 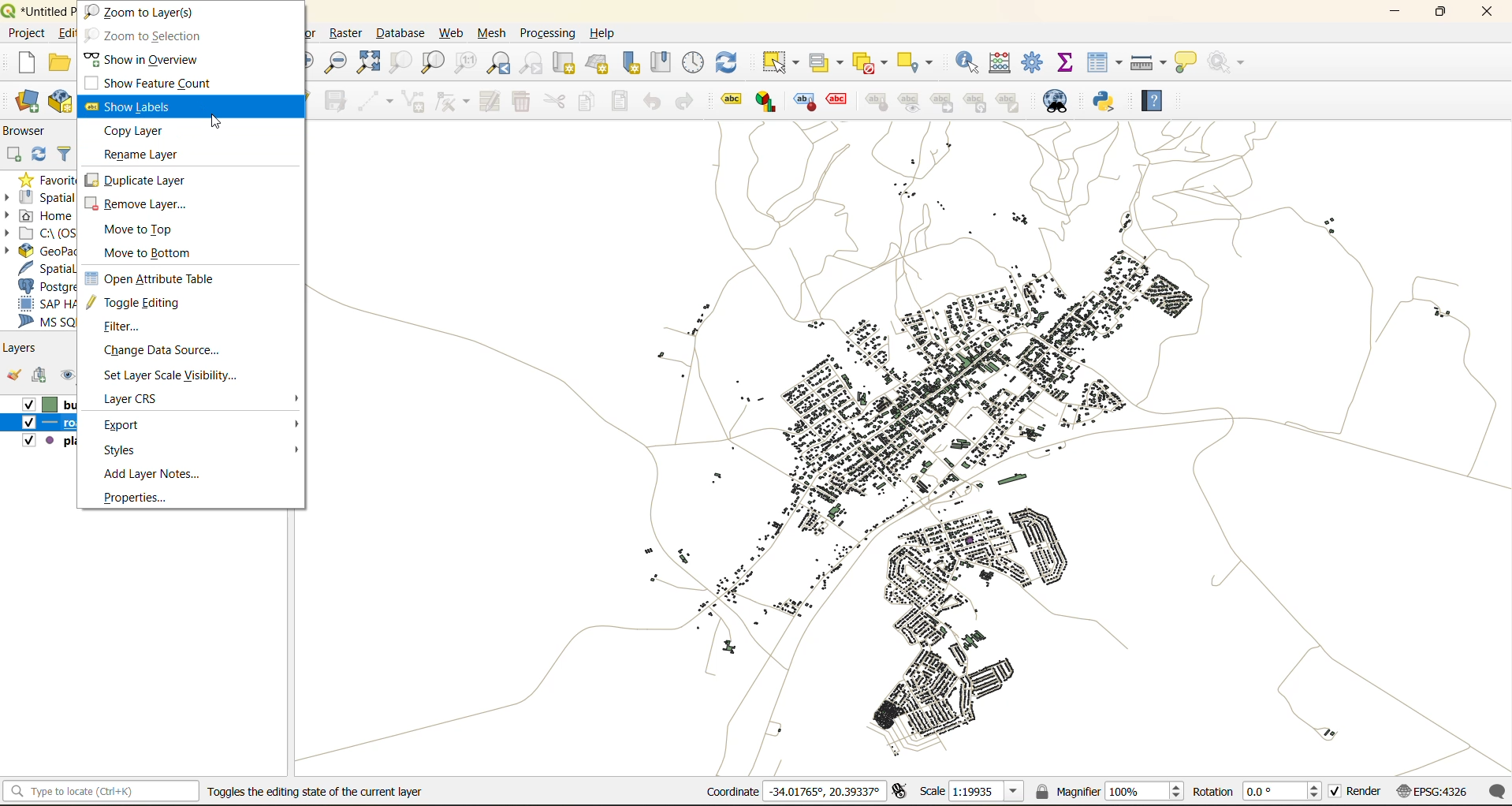 What do you see at coordinates (1108, 101) in the screenshot?
I see `python` at bounding box center [1108, 101].